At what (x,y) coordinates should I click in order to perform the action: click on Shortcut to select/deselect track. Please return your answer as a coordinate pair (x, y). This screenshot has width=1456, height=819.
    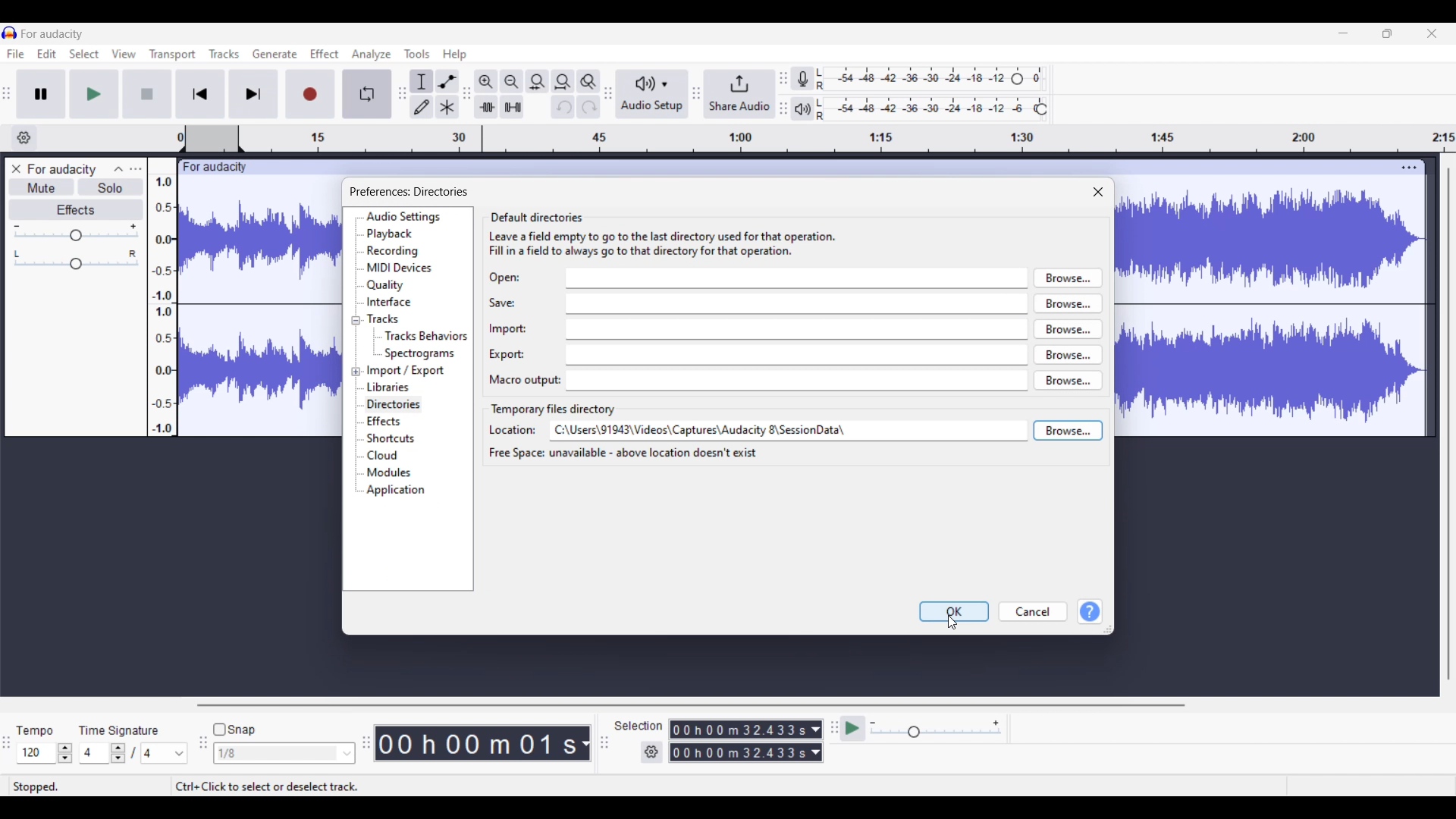
    Looking at the image, I should click on (267, 786).